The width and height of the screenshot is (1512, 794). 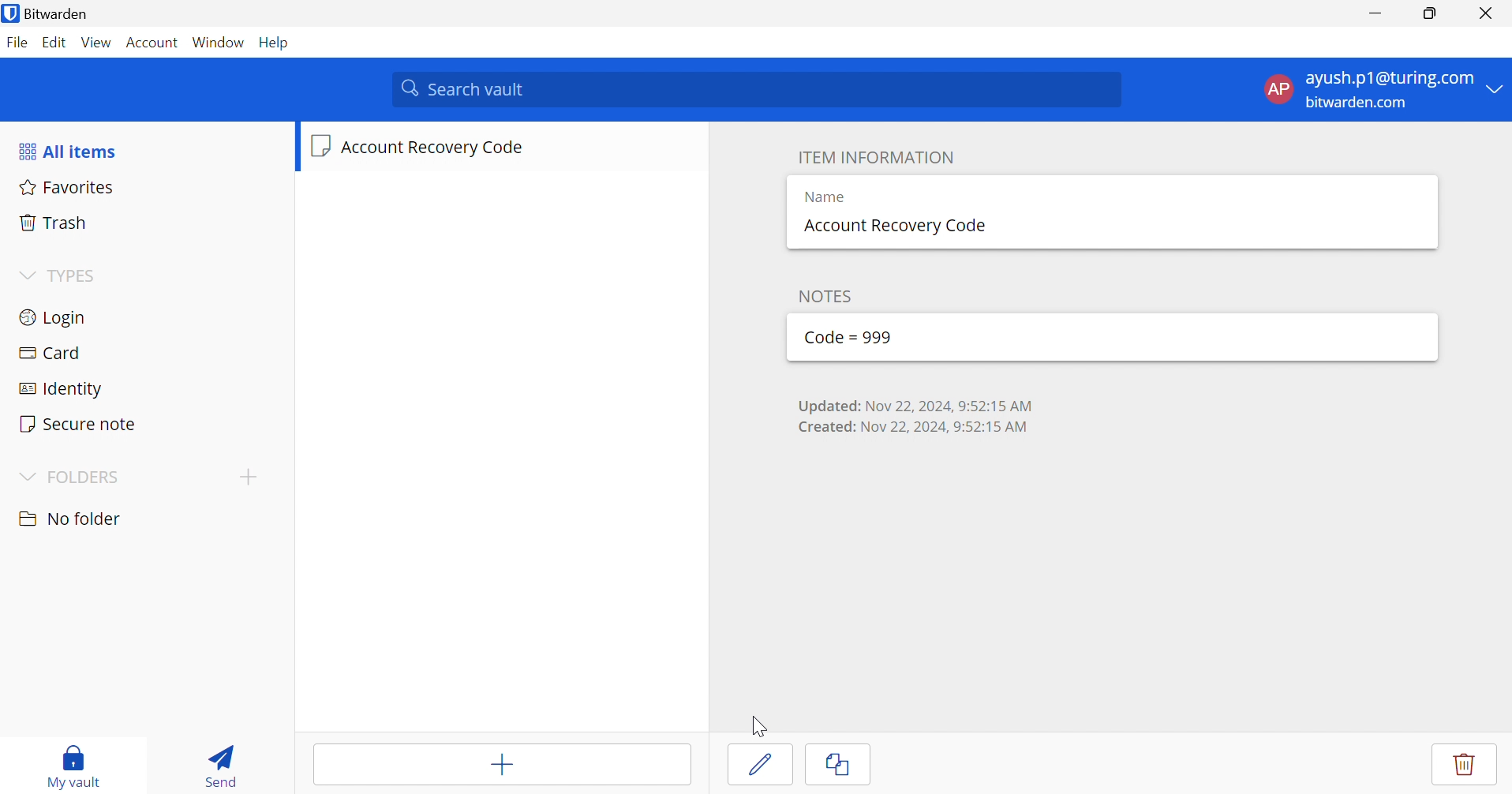 What do you see at coordinates (276, 43) in the screenshot?
I see `Help` at bounding box center [276, 43].